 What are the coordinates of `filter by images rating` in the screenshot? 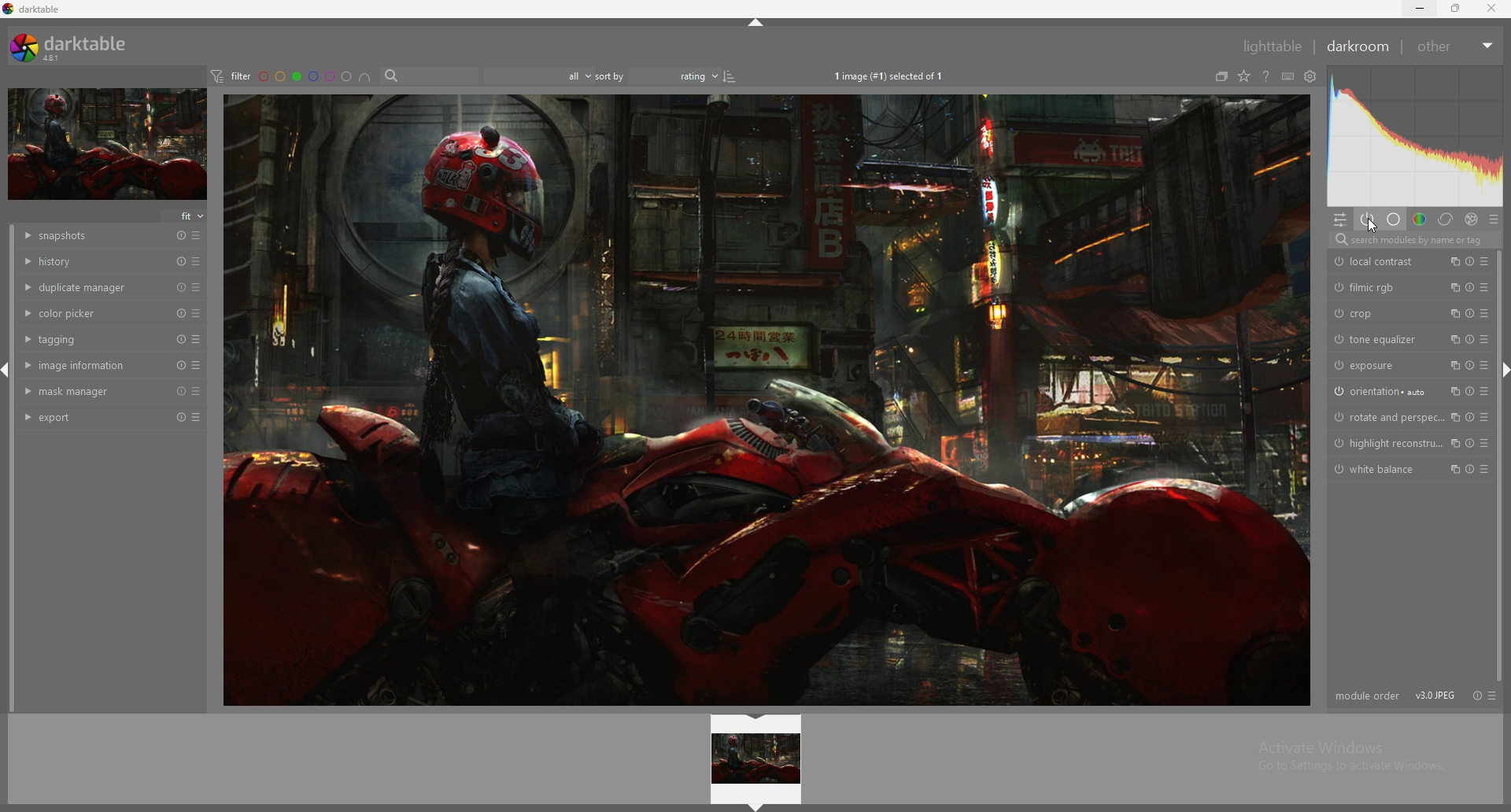 It's located at (531, 75).